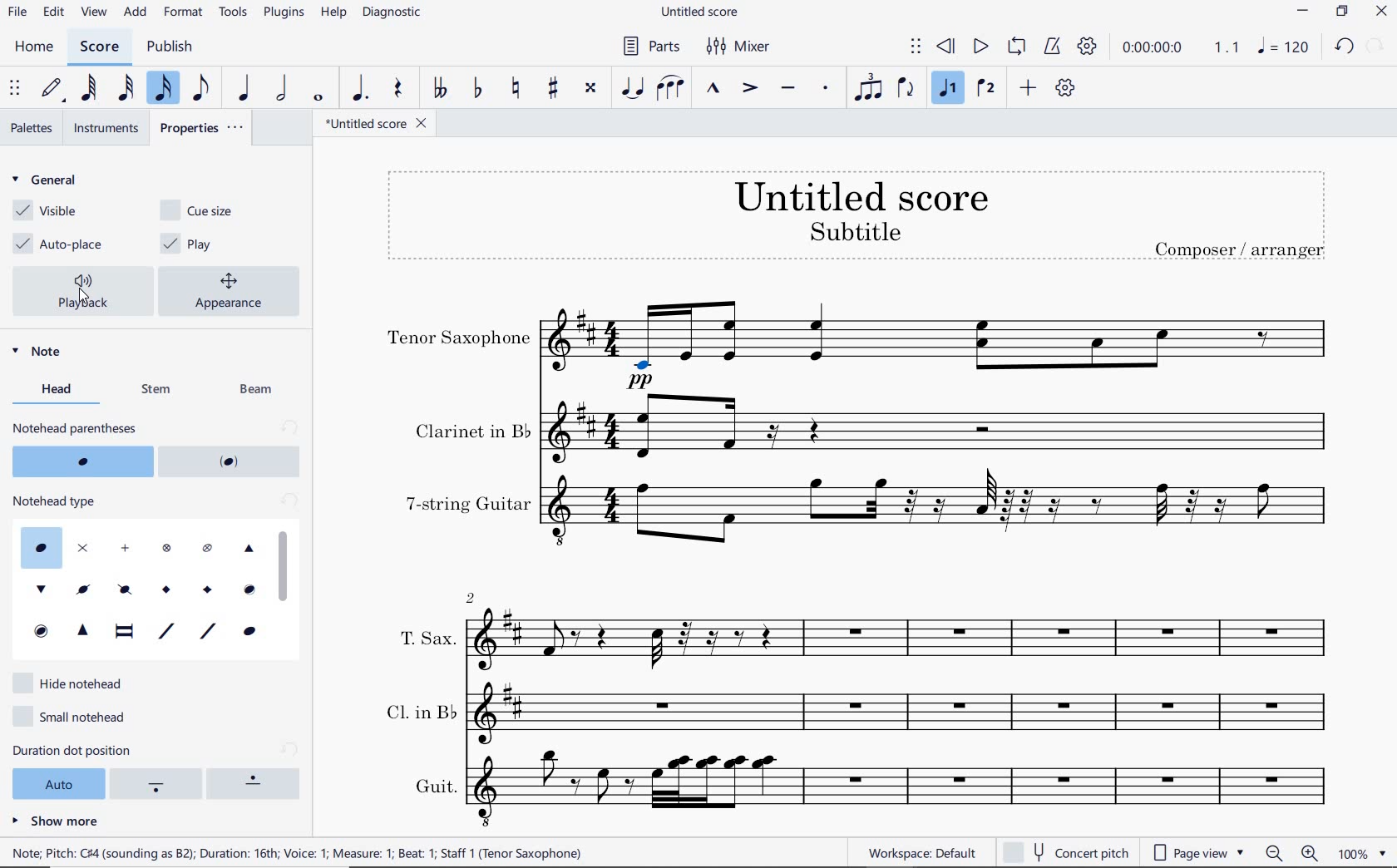  I want to click on tools, so click(231, 13).